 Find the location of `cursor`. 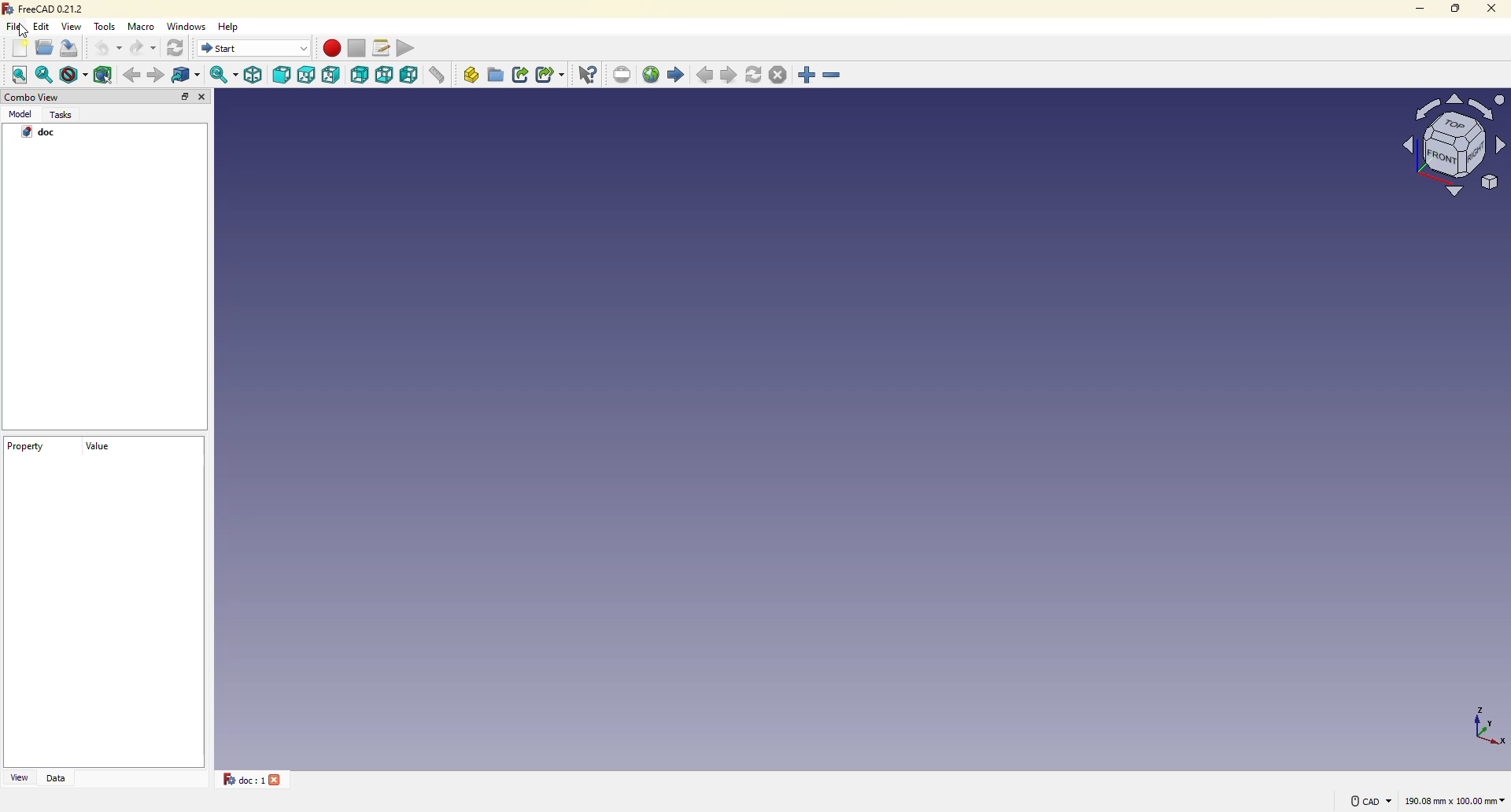

cursor is located at coordinates (27, 32).